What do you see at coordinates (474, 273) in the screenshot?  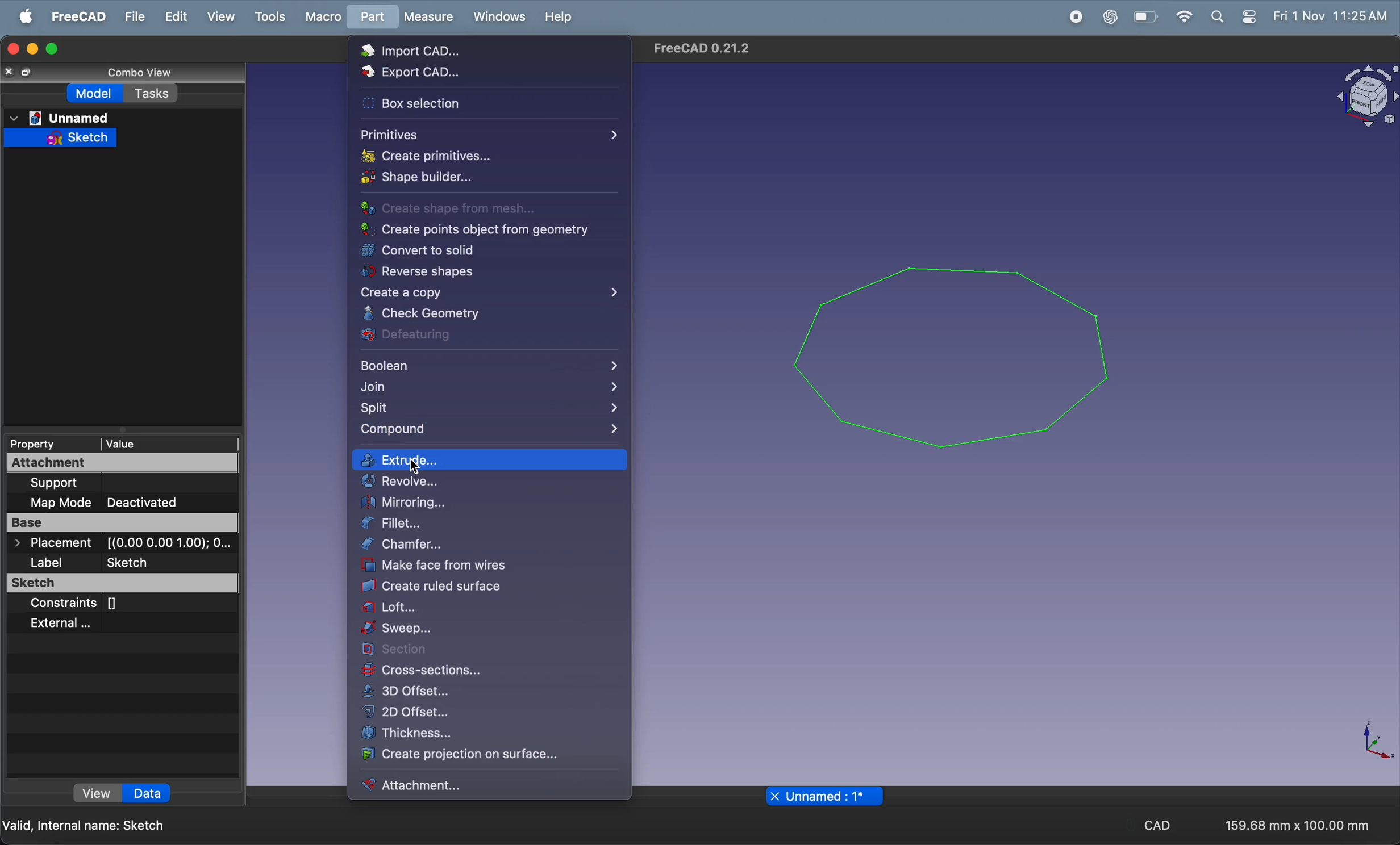 I see `reverse shapes` at bounding box center [474, 273].